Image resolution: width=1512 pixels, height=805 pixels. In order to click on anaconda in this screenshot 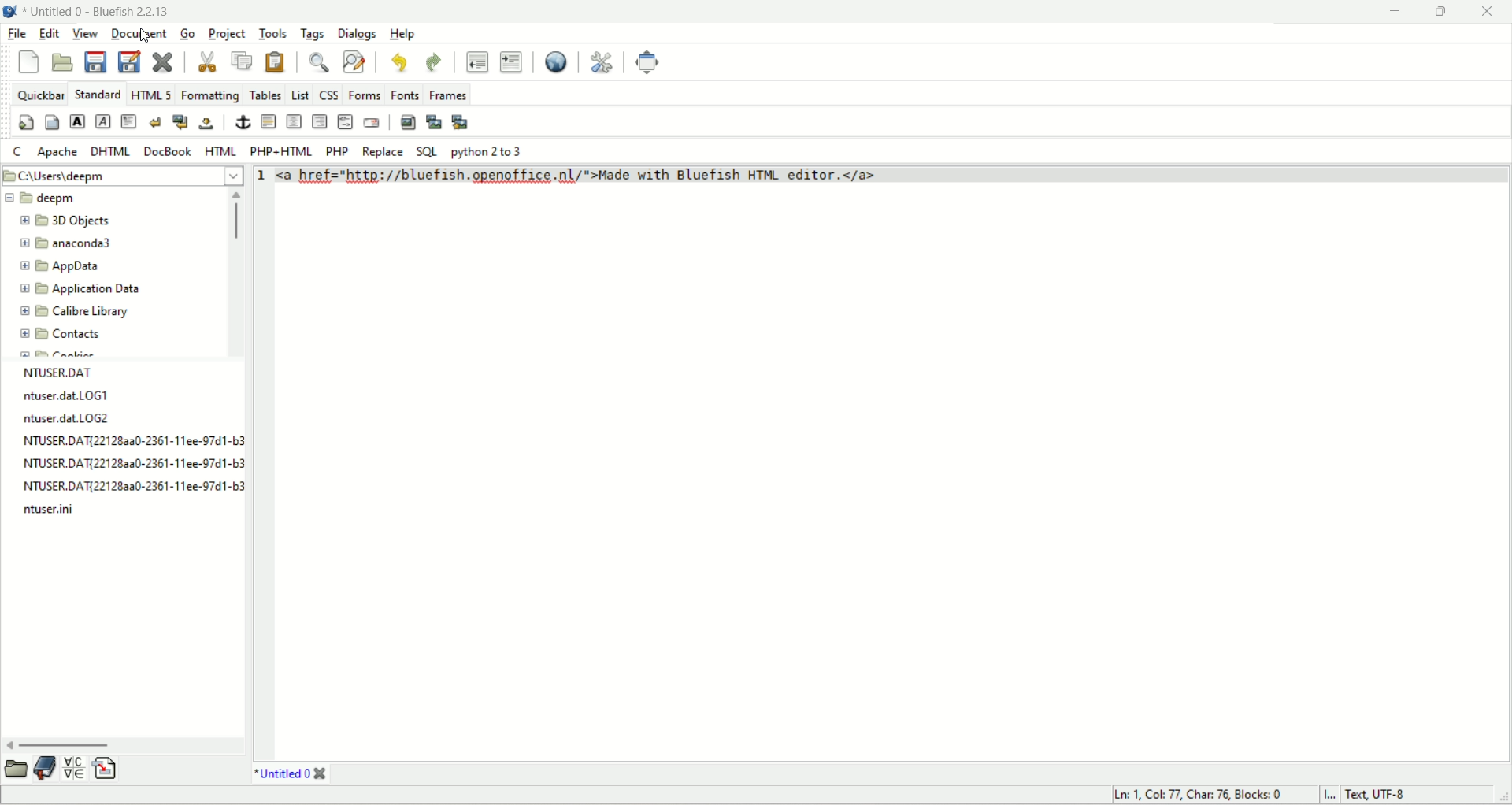, I will do `click(67, 244)`.